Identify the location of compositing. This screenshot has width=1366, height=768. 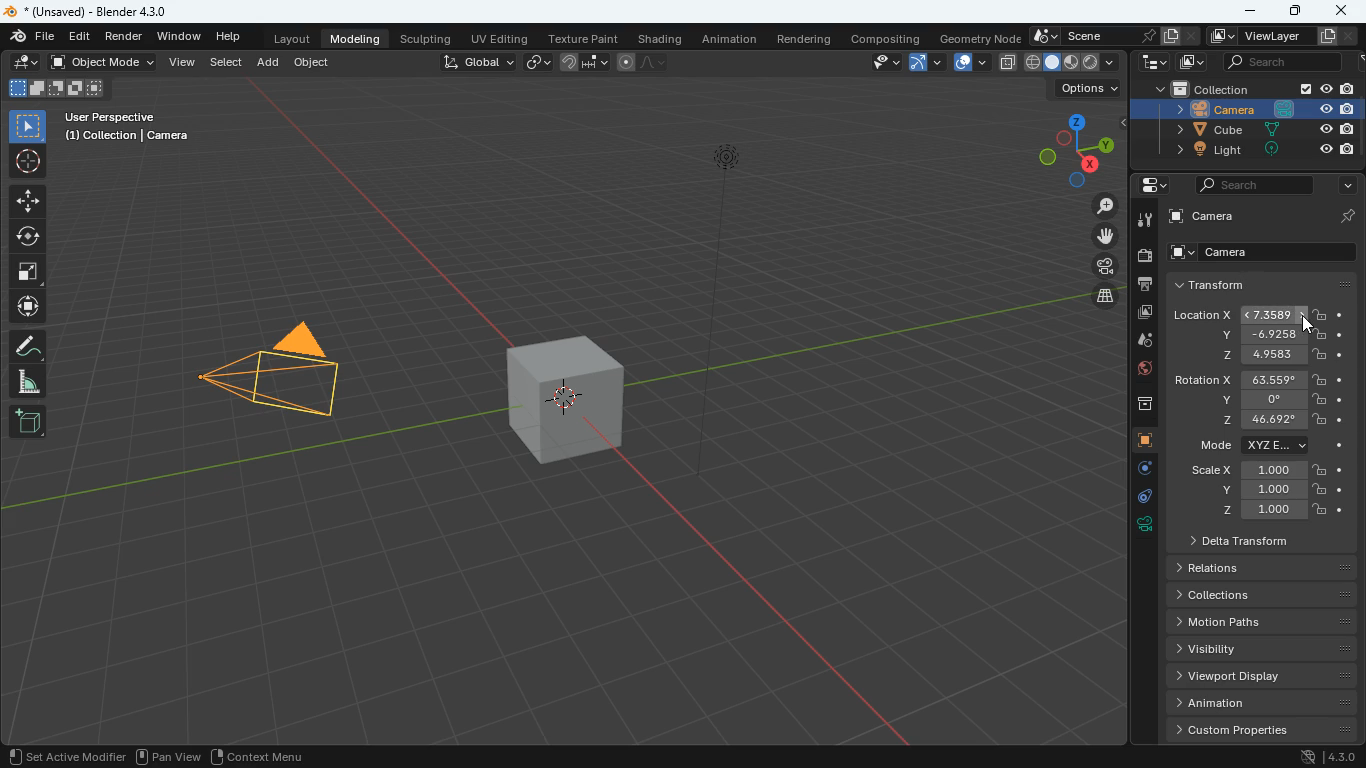
(890, 37).